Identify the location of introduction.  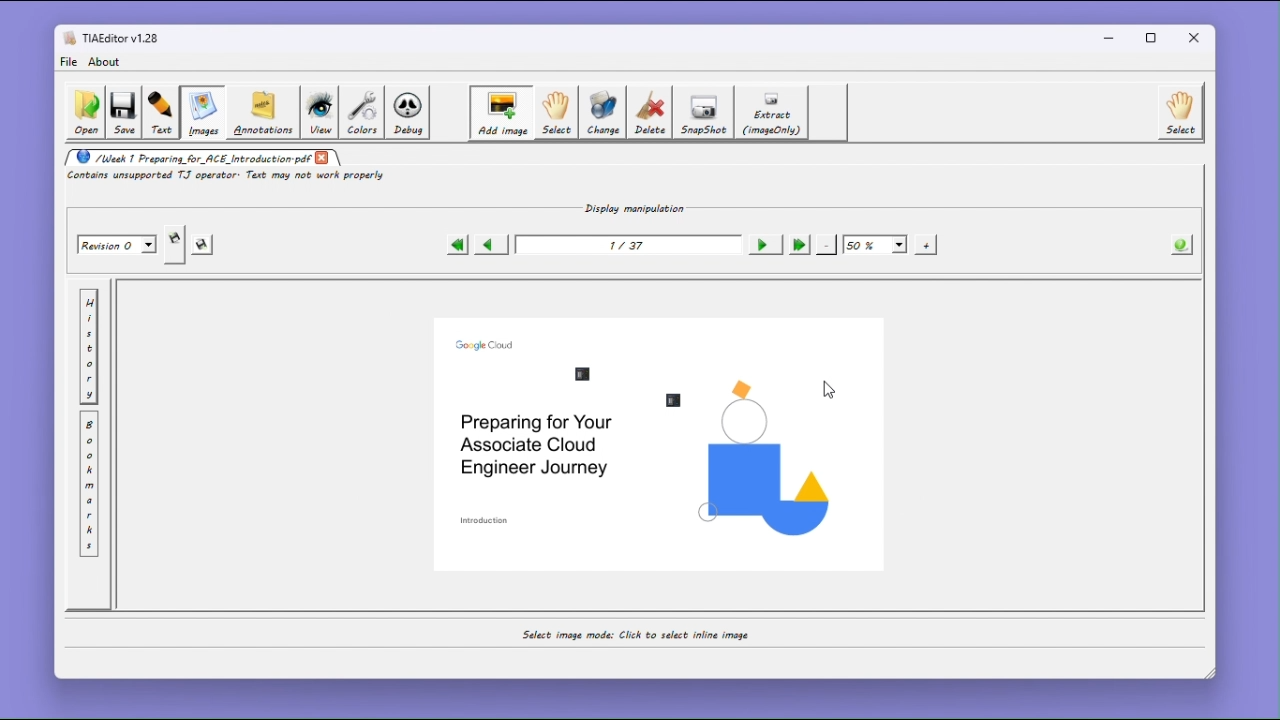
(486, 520).